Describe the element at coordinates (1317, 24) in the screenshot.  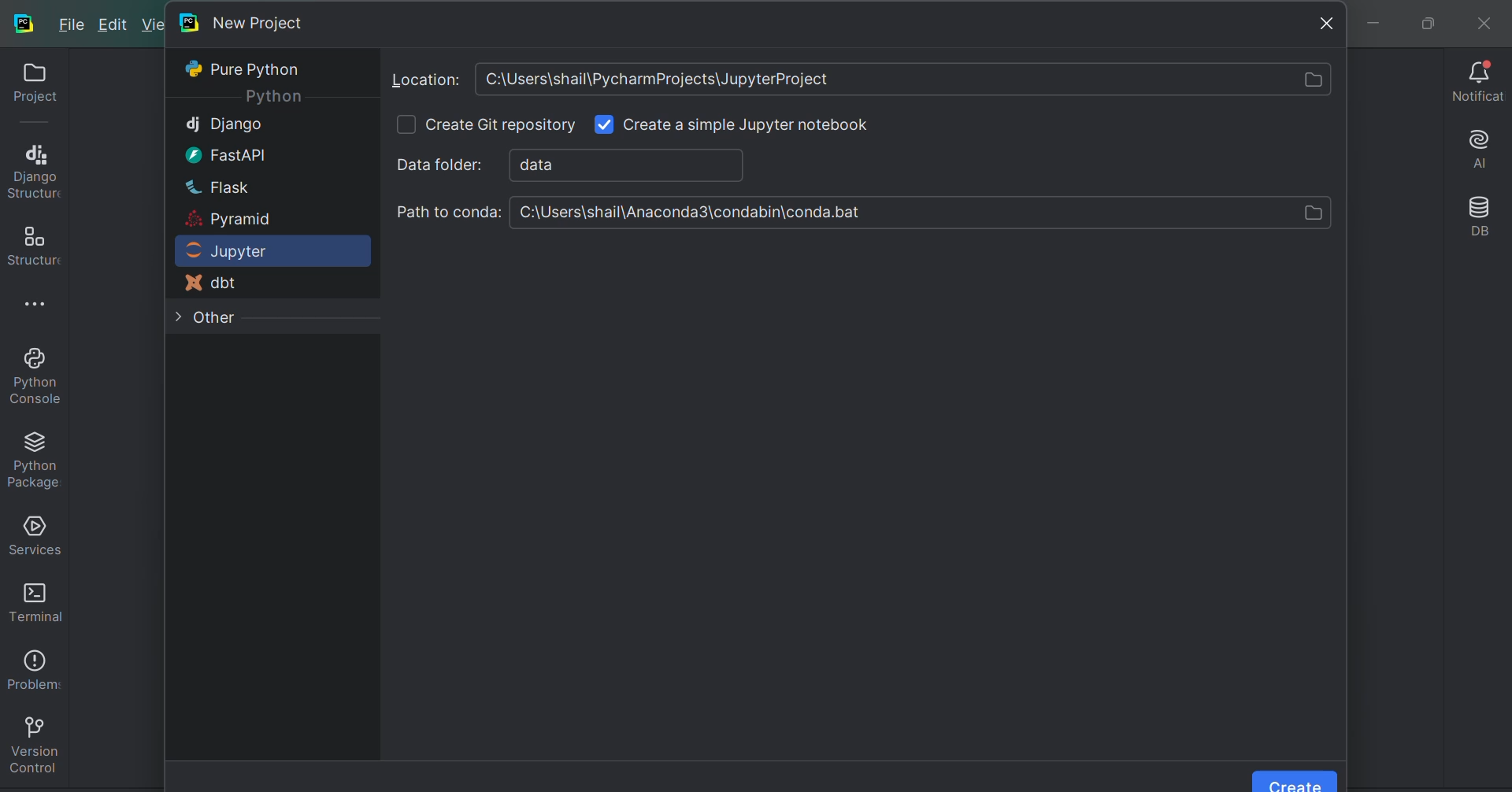
I see `Close` at that location.